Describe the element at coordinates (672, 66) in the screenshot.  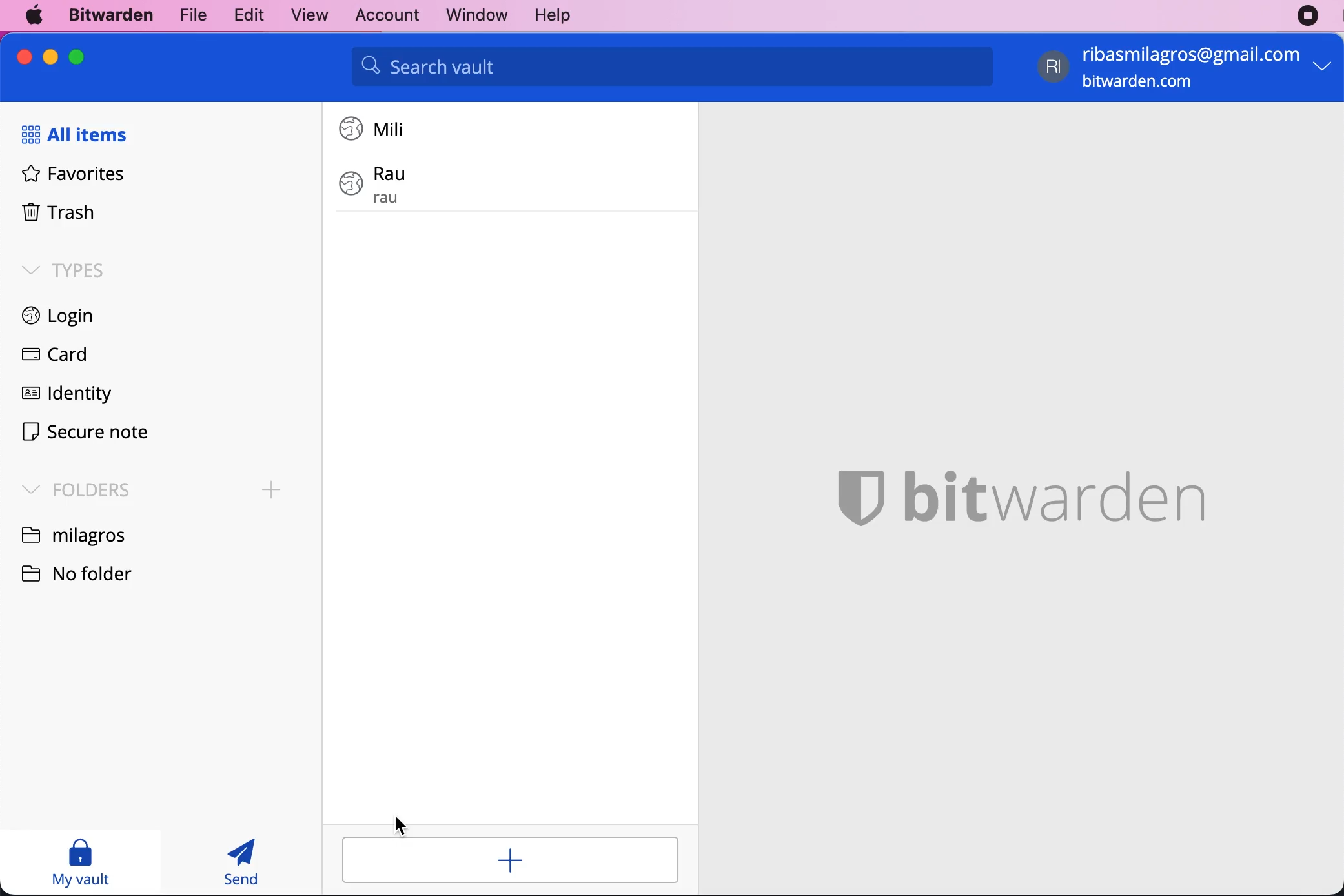
I see `search vault` at that location.